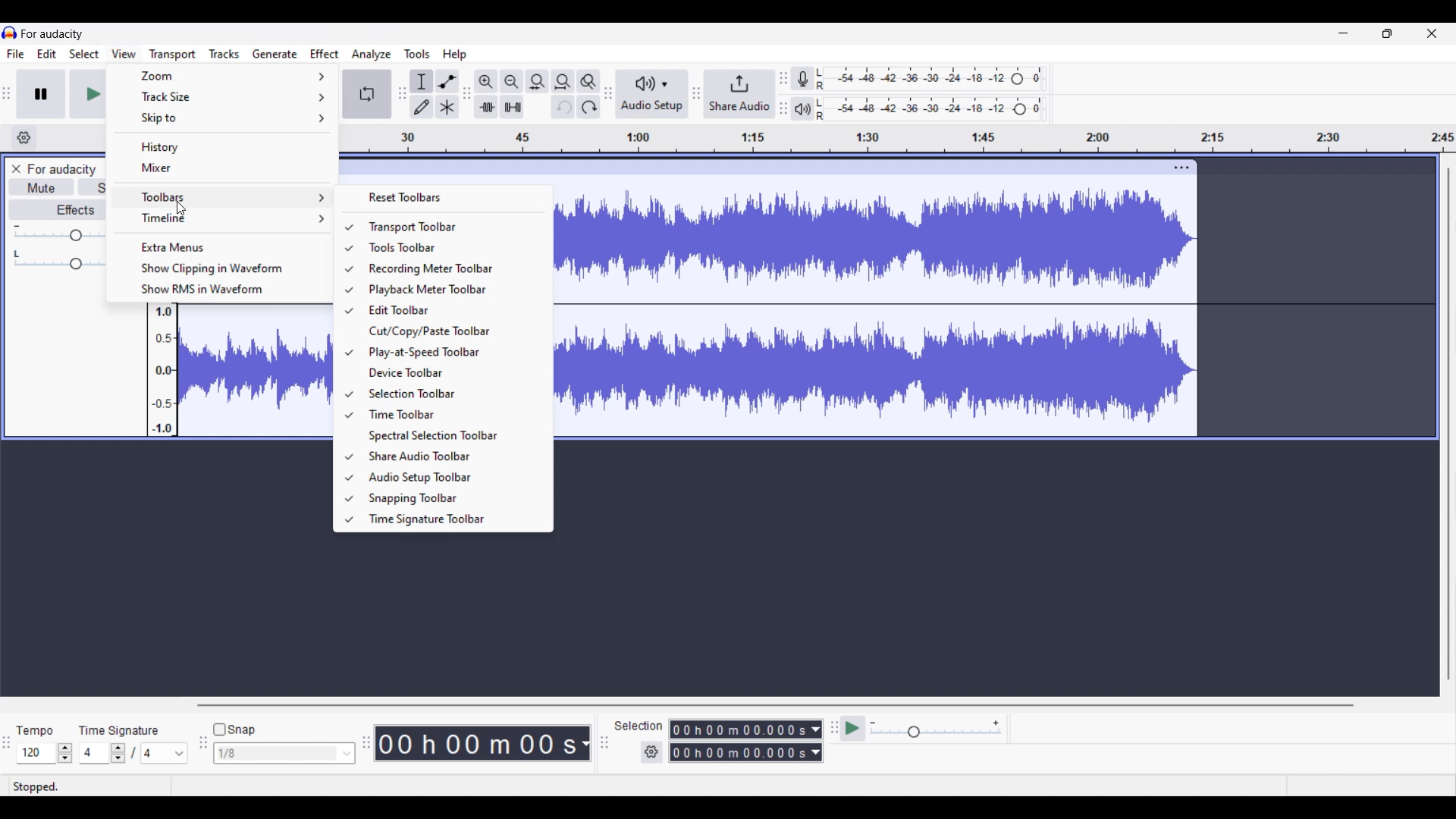 The height and width of the screenshot is (819, 1456). I want to click on Zoom options, so click(224, 75).